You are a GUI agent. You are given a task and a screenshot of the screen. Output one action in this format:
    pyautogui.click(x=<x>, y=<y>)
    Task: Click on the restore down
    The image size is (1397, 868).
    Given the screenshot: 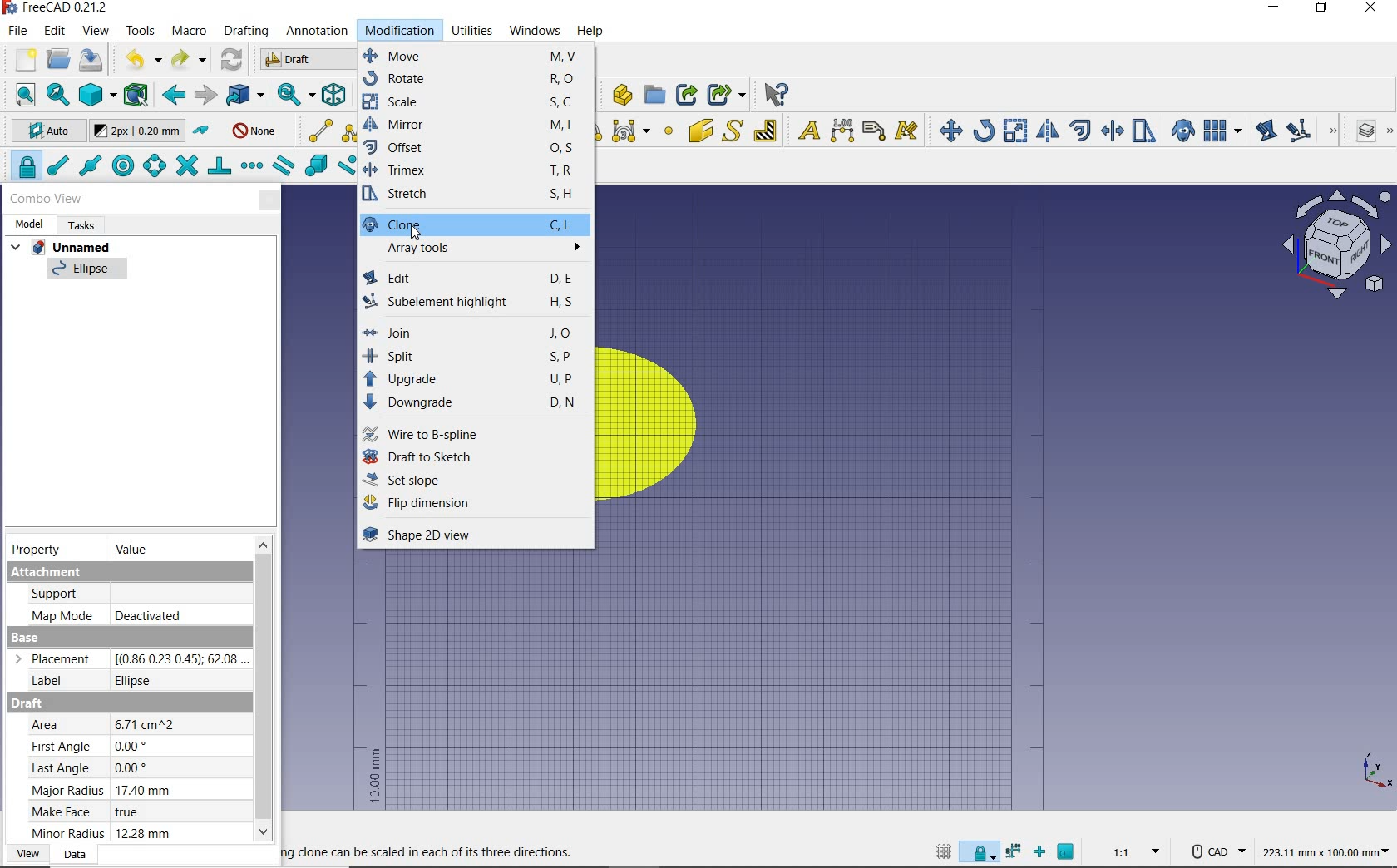 What is the action you would take?
    pyautogui.click(x=1322, y=8)
    